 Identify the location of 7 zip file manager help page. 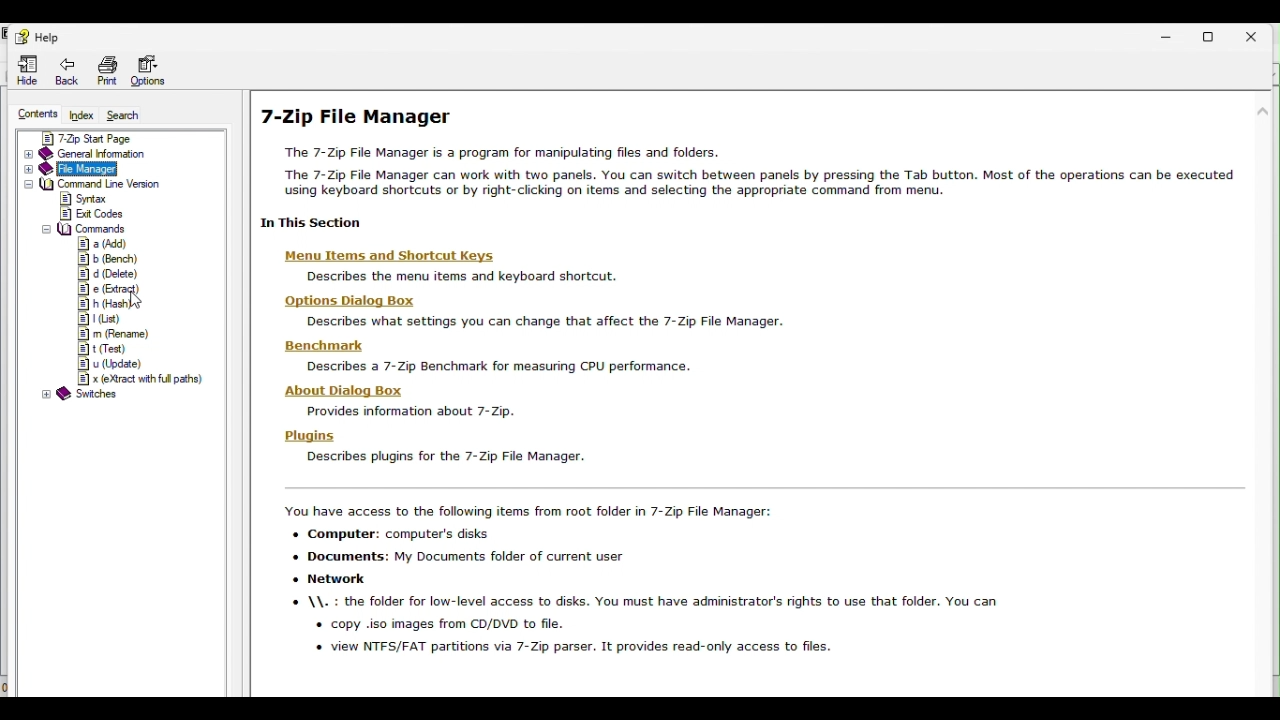
(767, 168).